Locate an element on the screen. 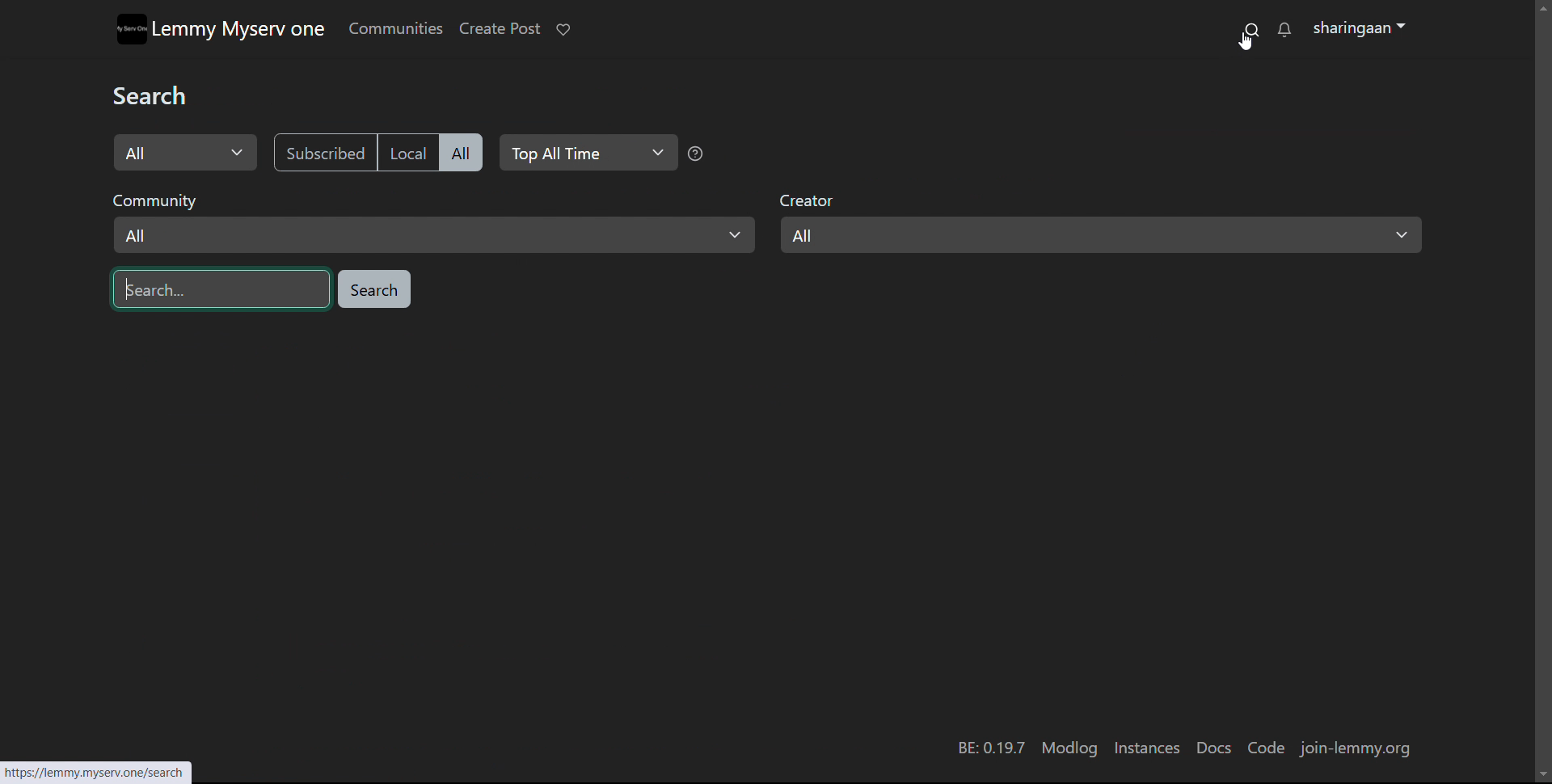  instances is located at coordinates (1147, 750).